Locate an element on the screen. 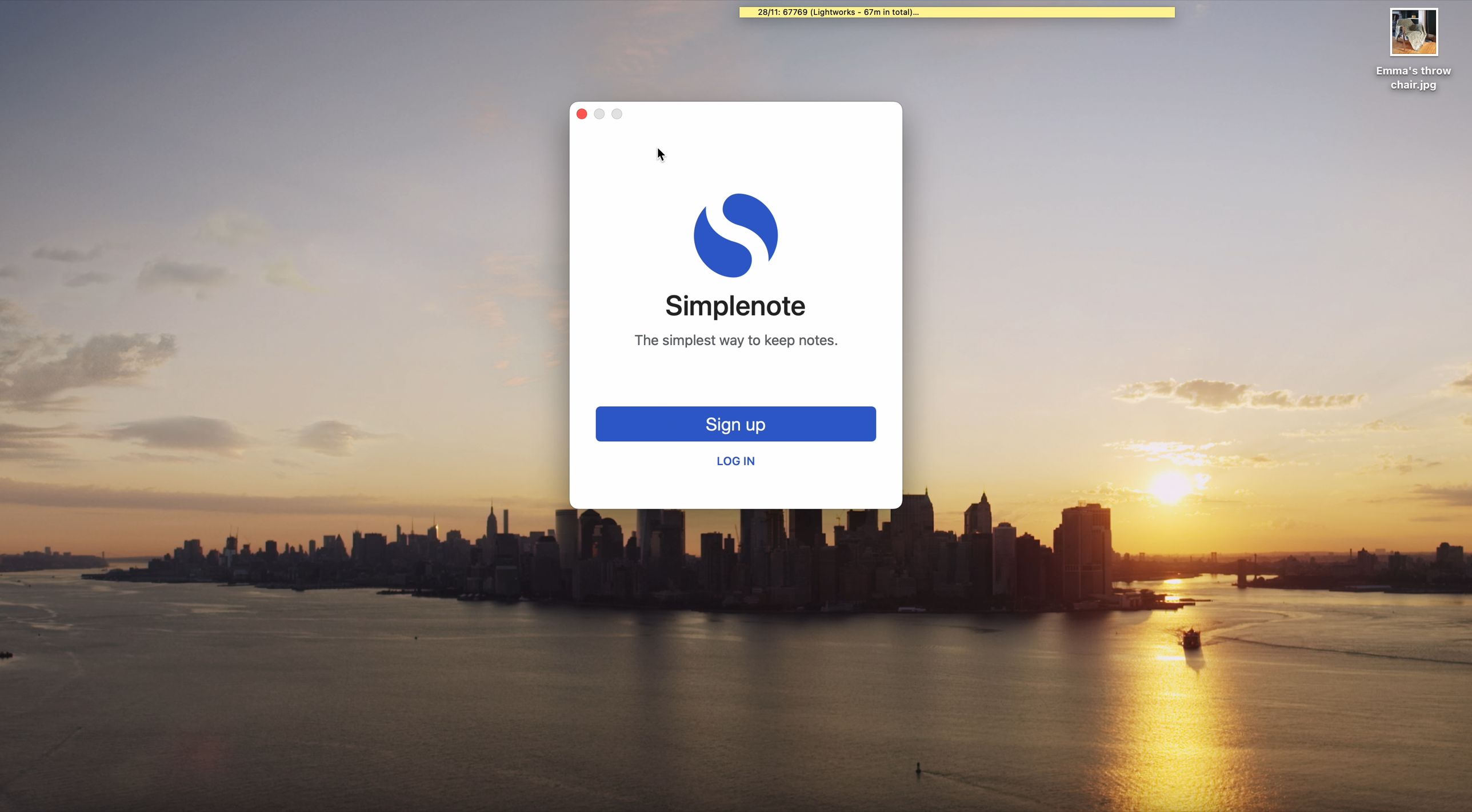 This screenshot has width=1472, height=812. Emma's throw
chair.jpg is located at coordinates (1414, 49).